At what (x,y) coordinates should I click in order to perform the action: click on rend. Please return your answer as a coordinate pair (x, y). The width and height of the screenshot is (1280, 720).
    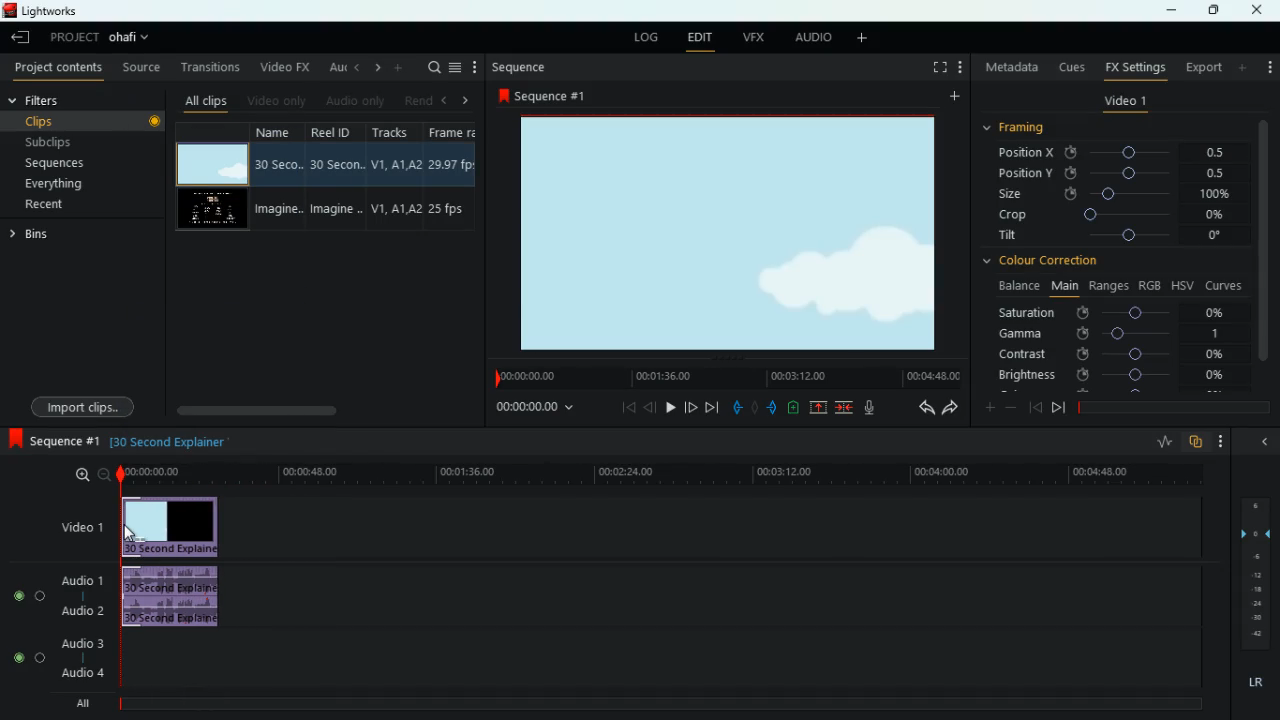
    Looking at the image, I should click on (416, 99).